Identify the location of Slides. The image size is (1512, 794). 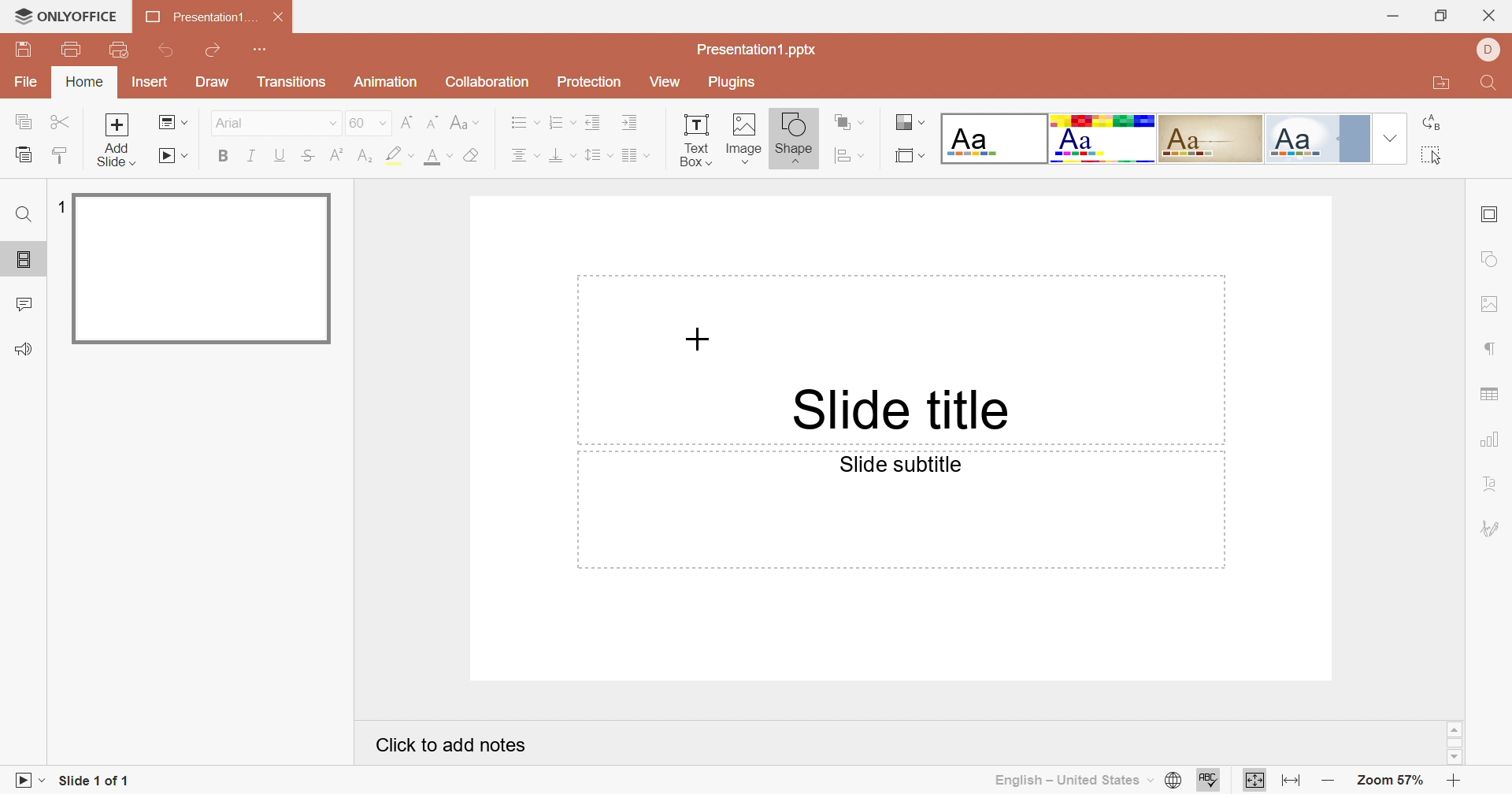
(24, 257).